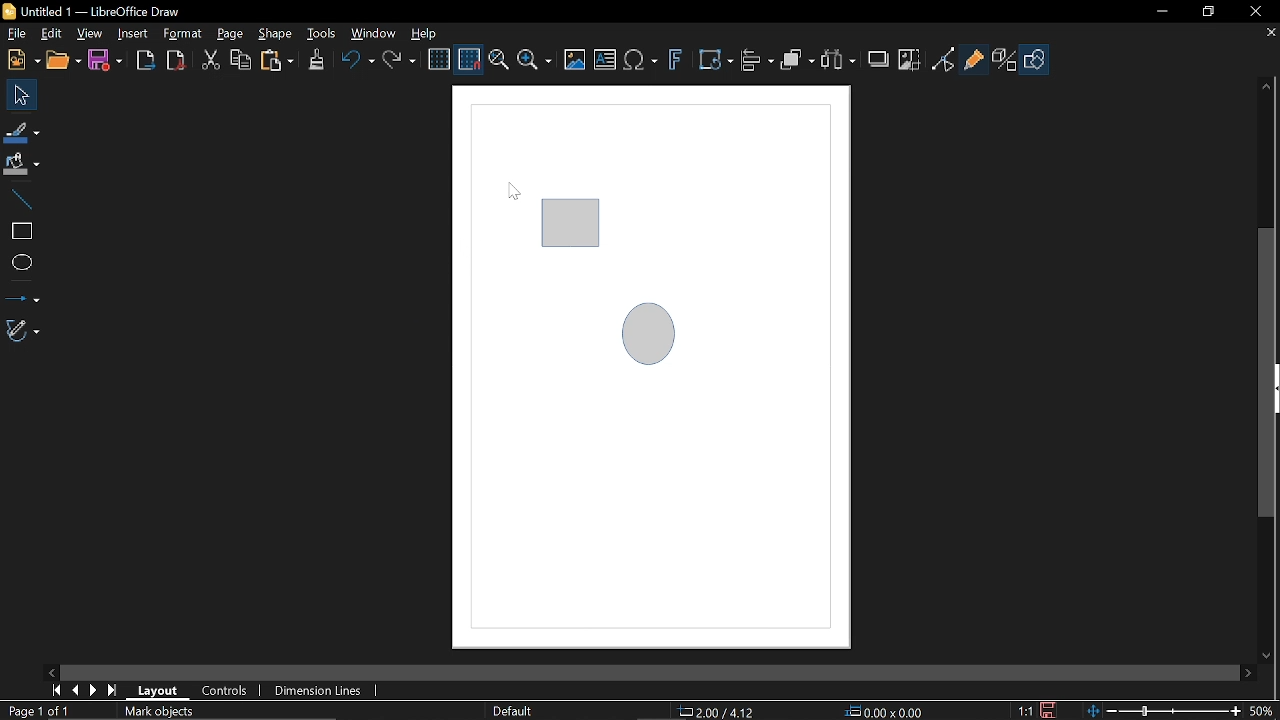  Describe the element at coordinates (38, 711) in the screenshot. I see `Current page` at that location.